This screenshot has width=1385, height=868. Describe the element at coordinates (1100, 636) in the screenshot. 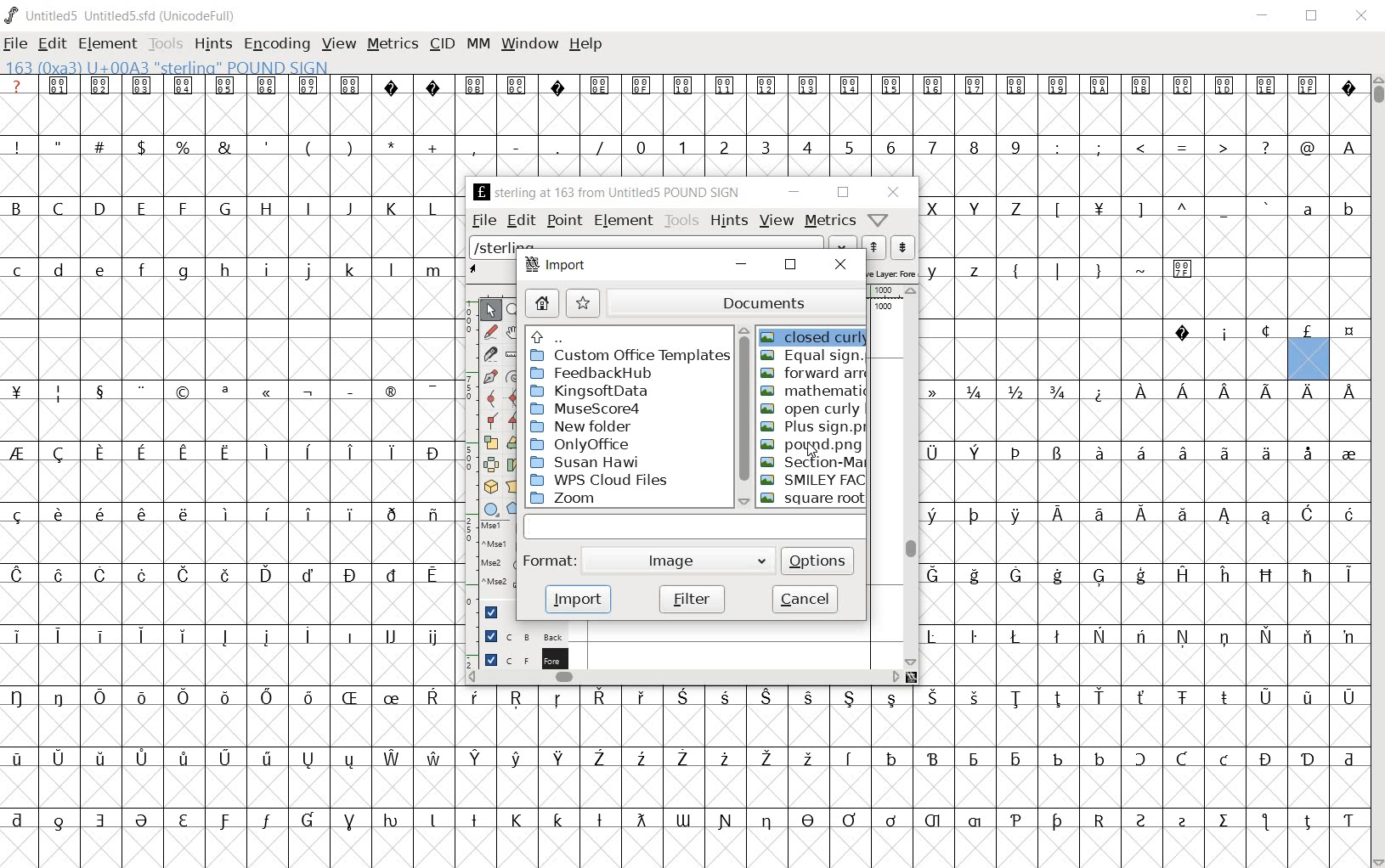

I see `Symbol` at that location.